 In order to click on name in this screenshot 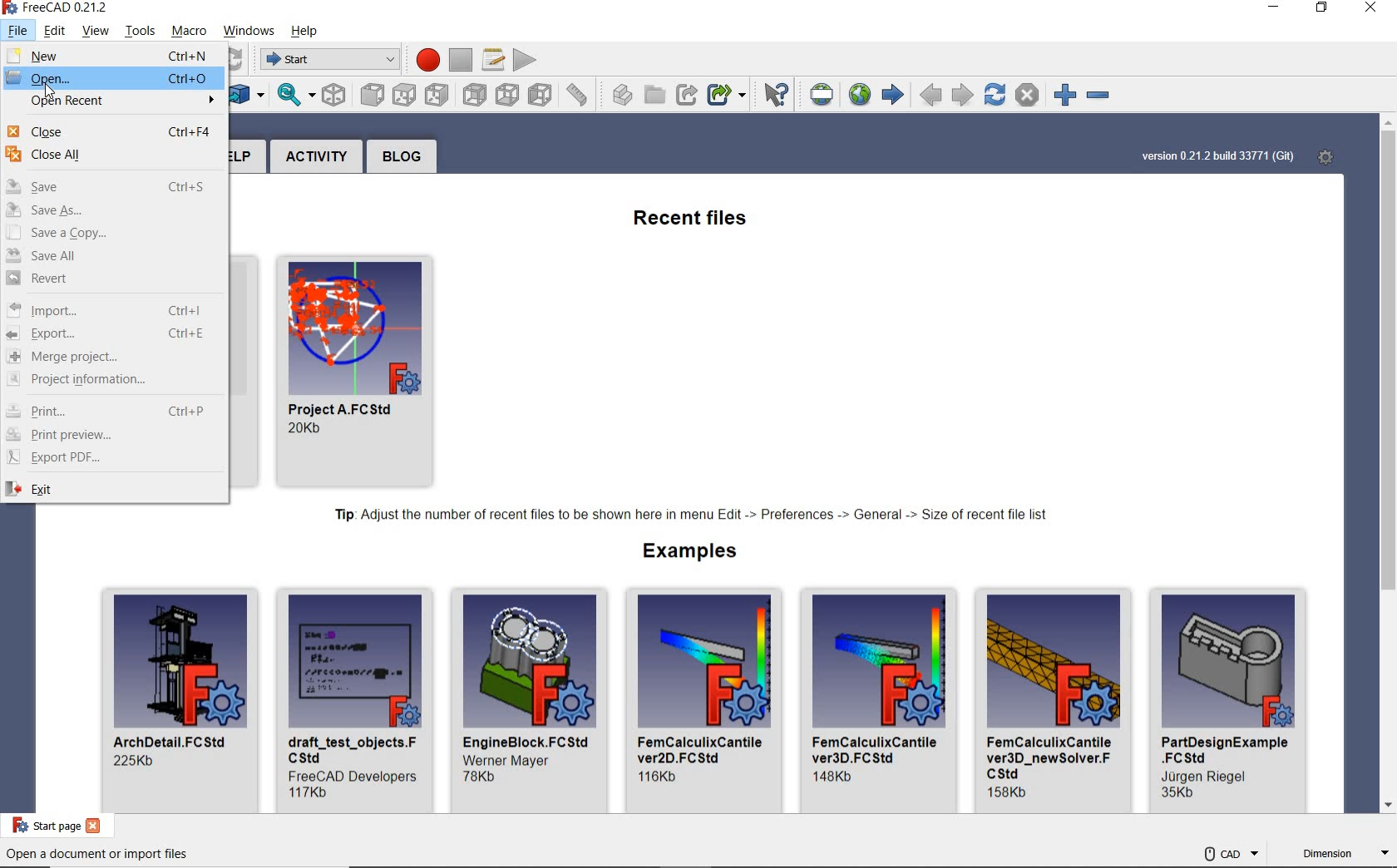, I will do `click(1051, 756)`.